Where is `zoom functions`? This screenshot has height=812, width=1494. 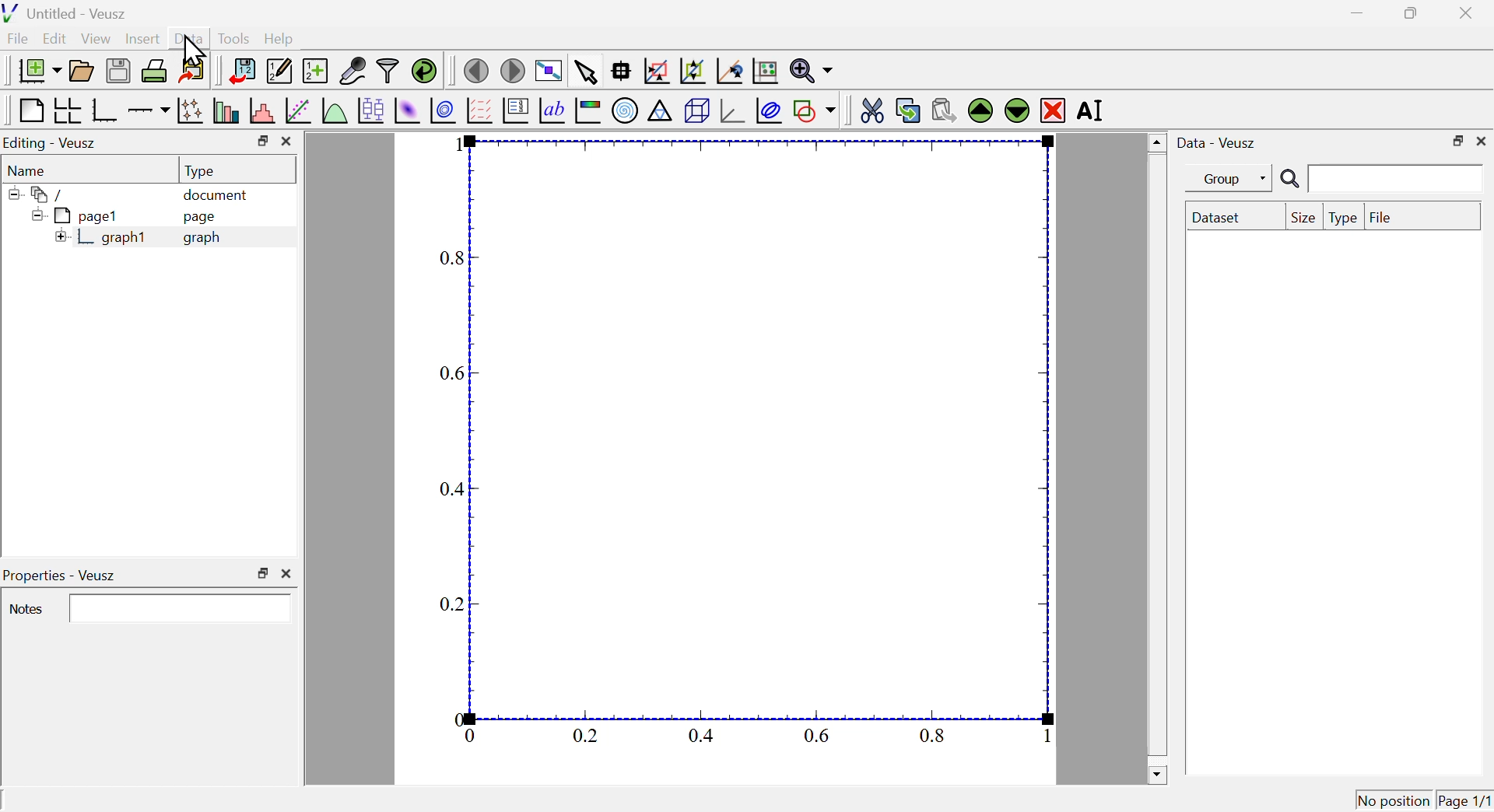 zoom functions is located at coordinates (811, 71).